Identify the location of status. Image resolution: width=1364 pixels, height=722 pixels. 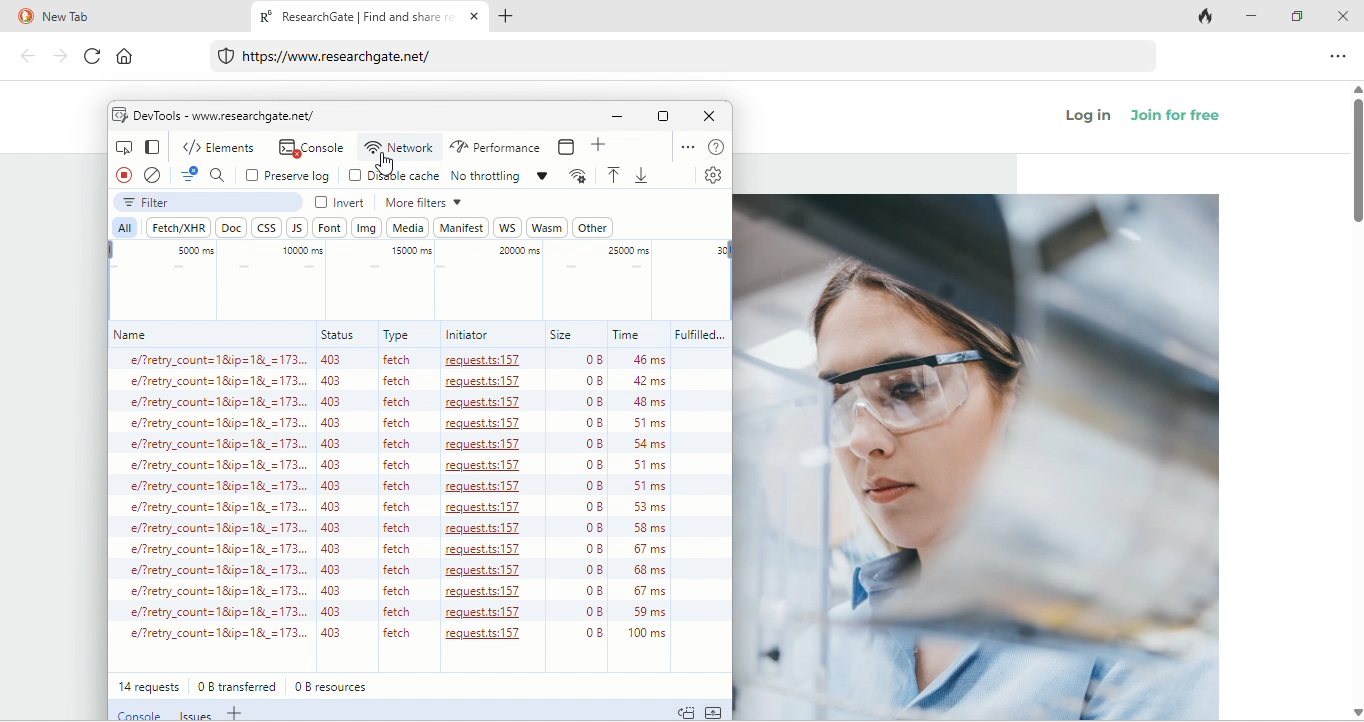
(337, 334).